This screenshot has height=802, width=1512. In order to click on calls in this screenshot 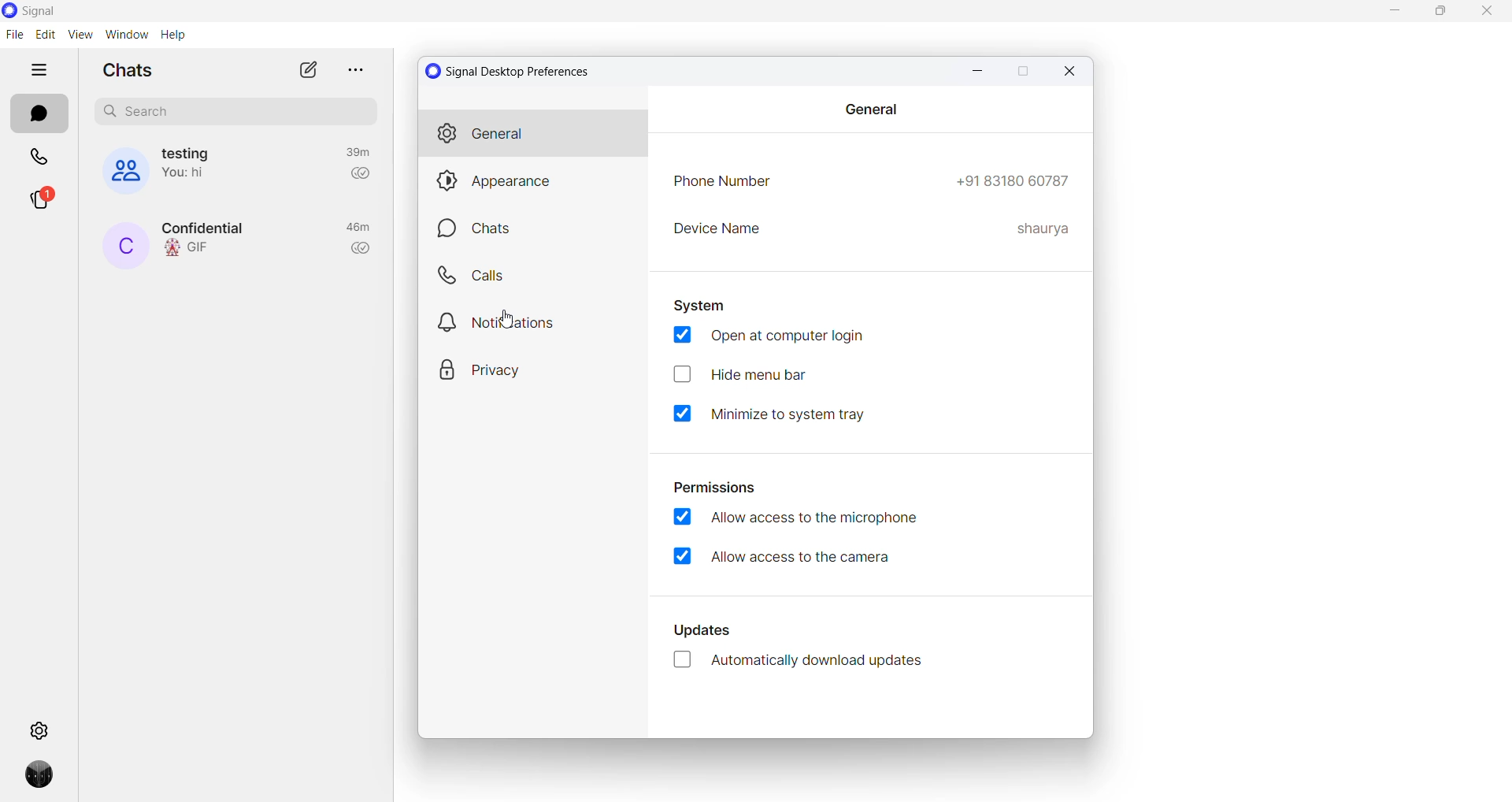, I will do `click(535, 275)`.